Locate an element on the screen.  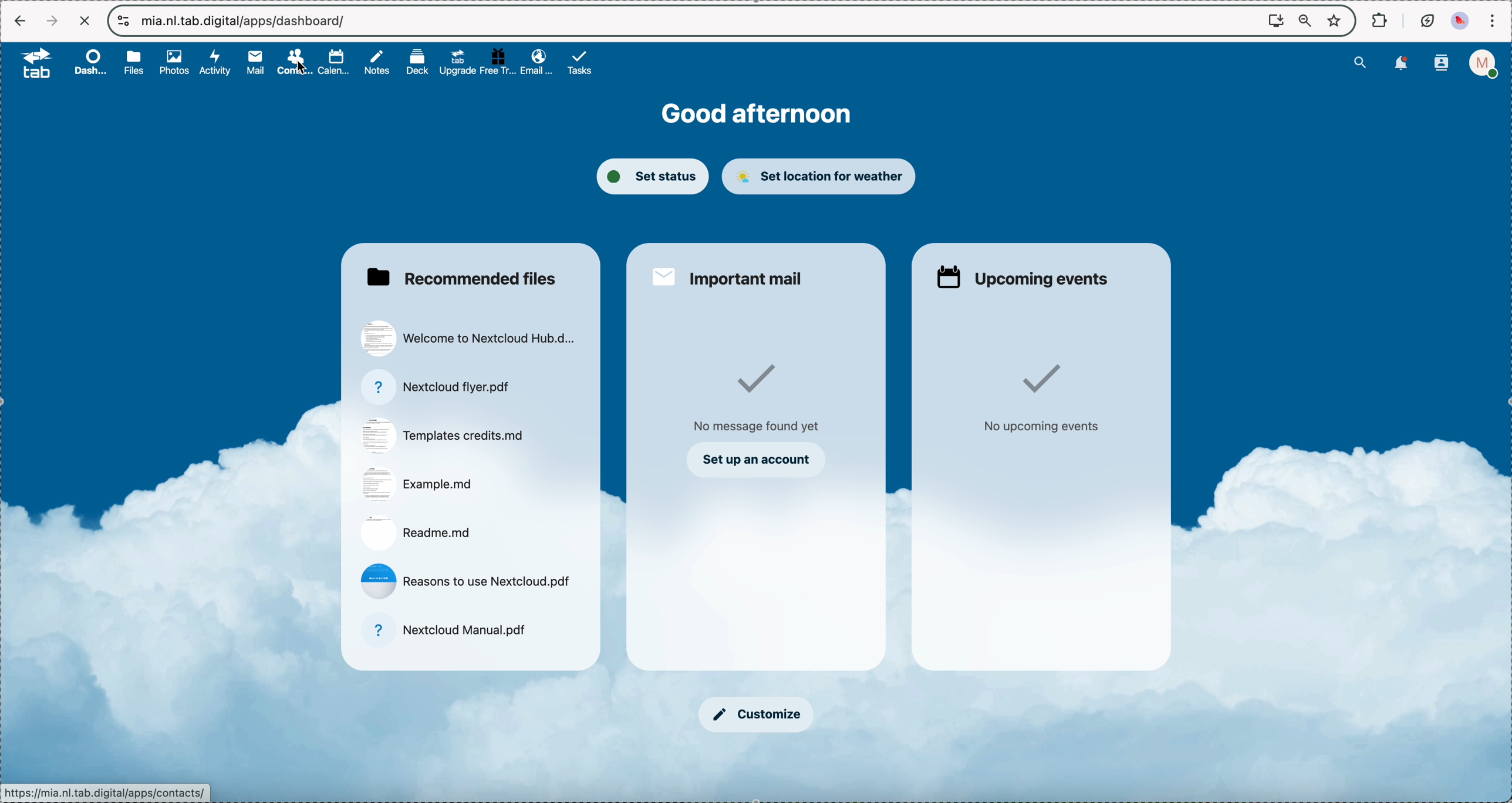
profile picture is located at coordinates (1460, 20).